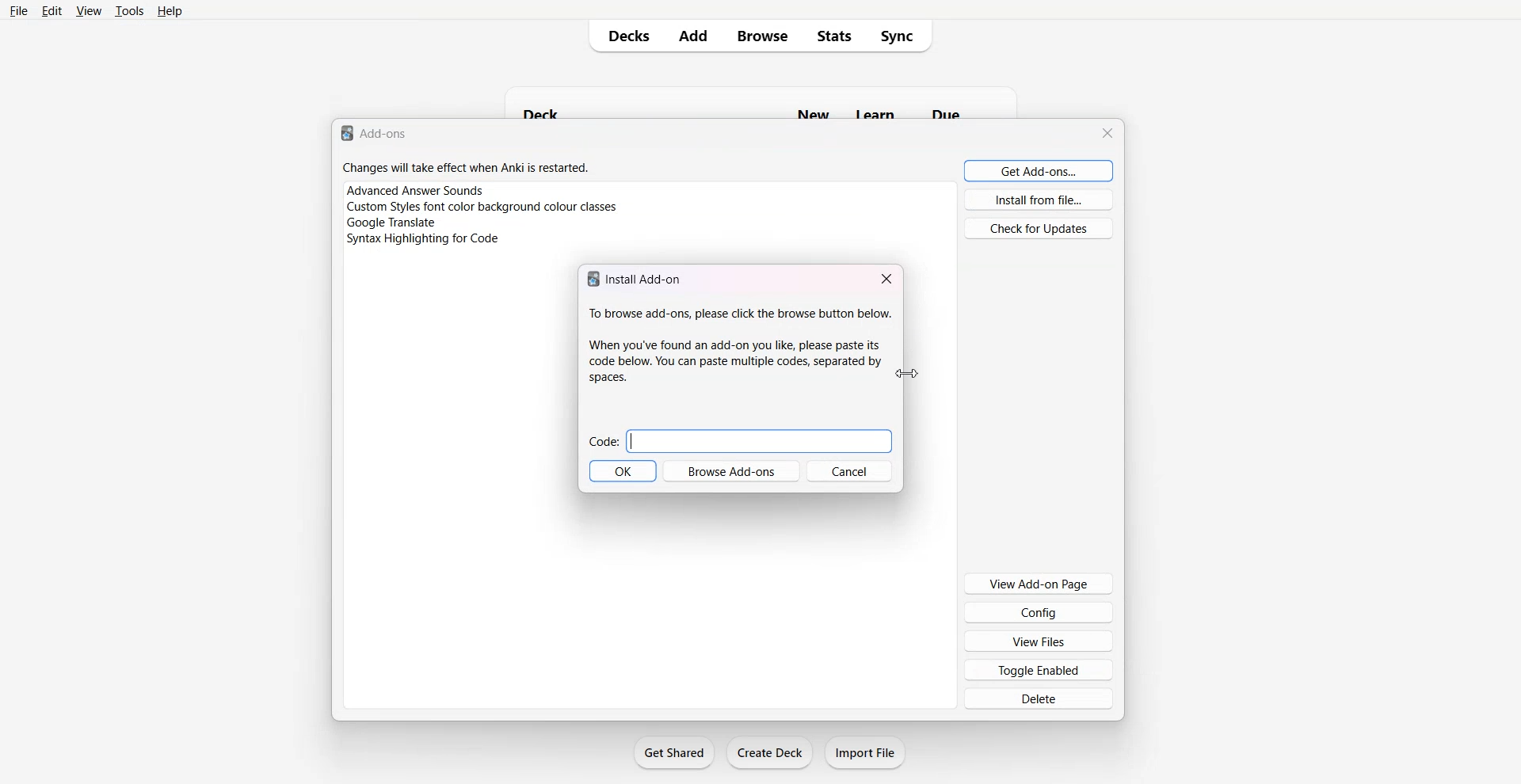  What do you see at coordinates (416, 190) in the screenshot?
I see `advanced answer sounds` at bounding box center [416, 190].